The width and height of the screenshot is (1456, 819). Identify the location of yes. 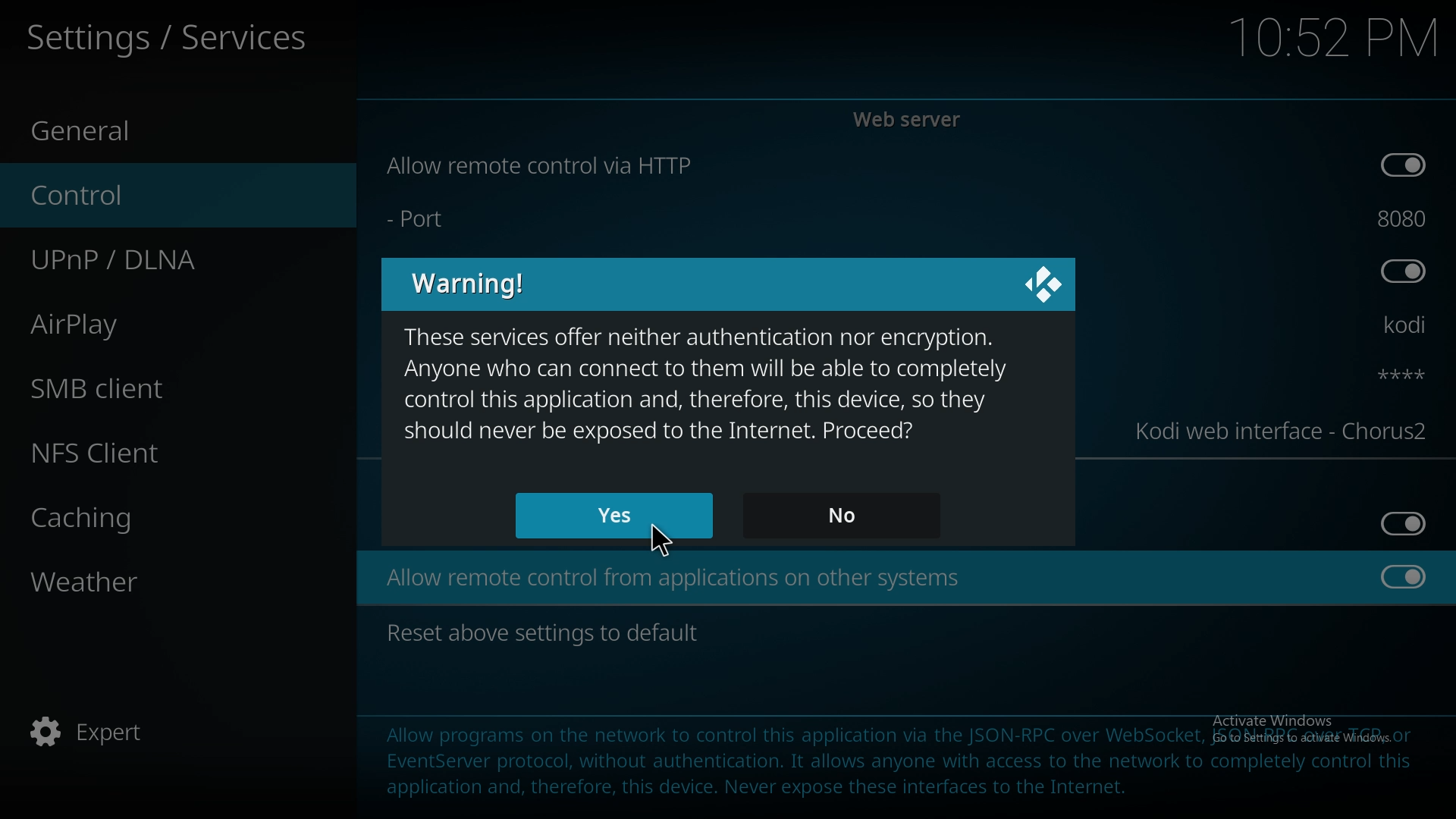
(613, 513).